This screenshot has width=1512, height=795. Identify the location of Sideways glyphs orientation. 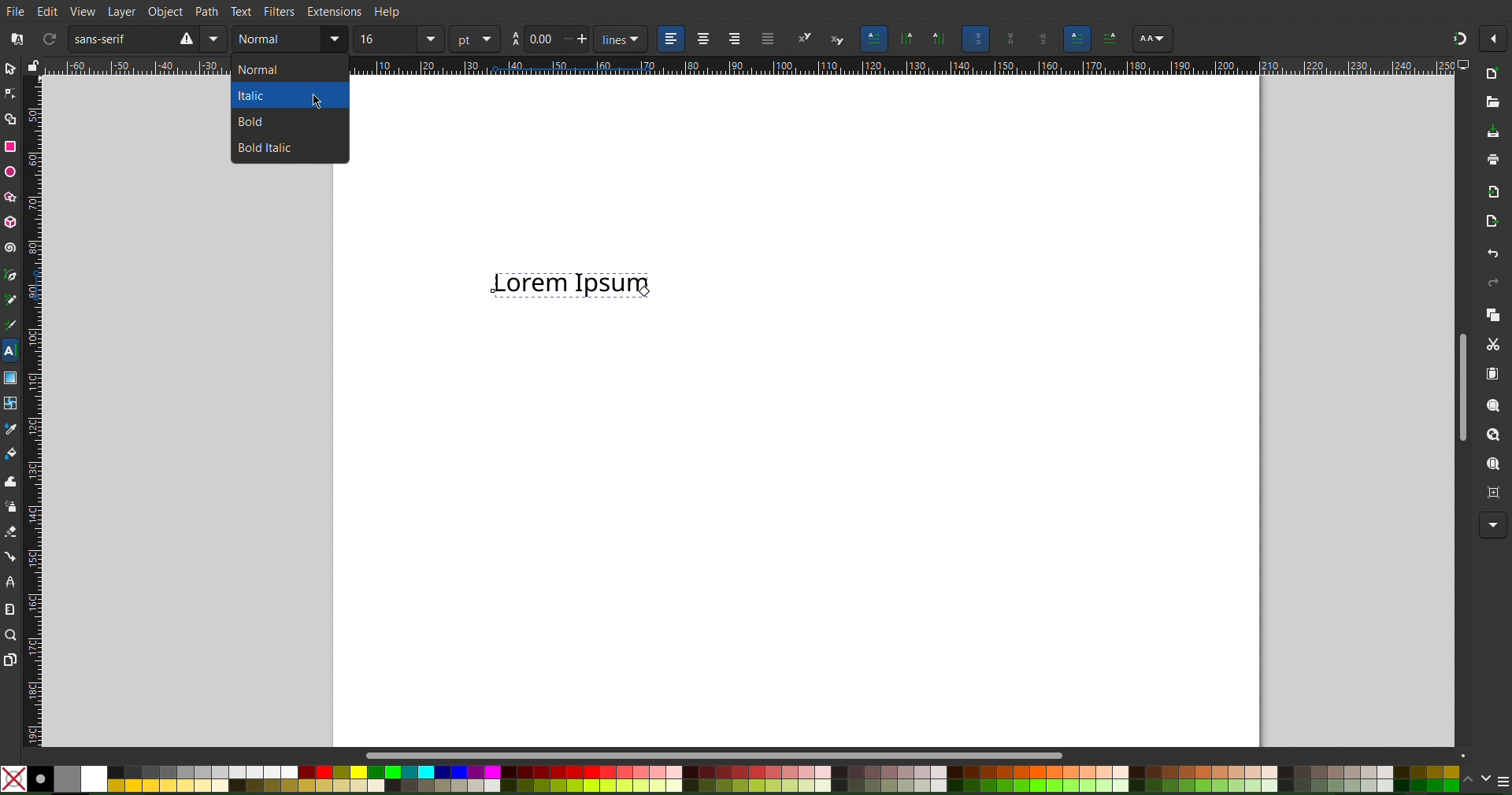
(1045, 39).